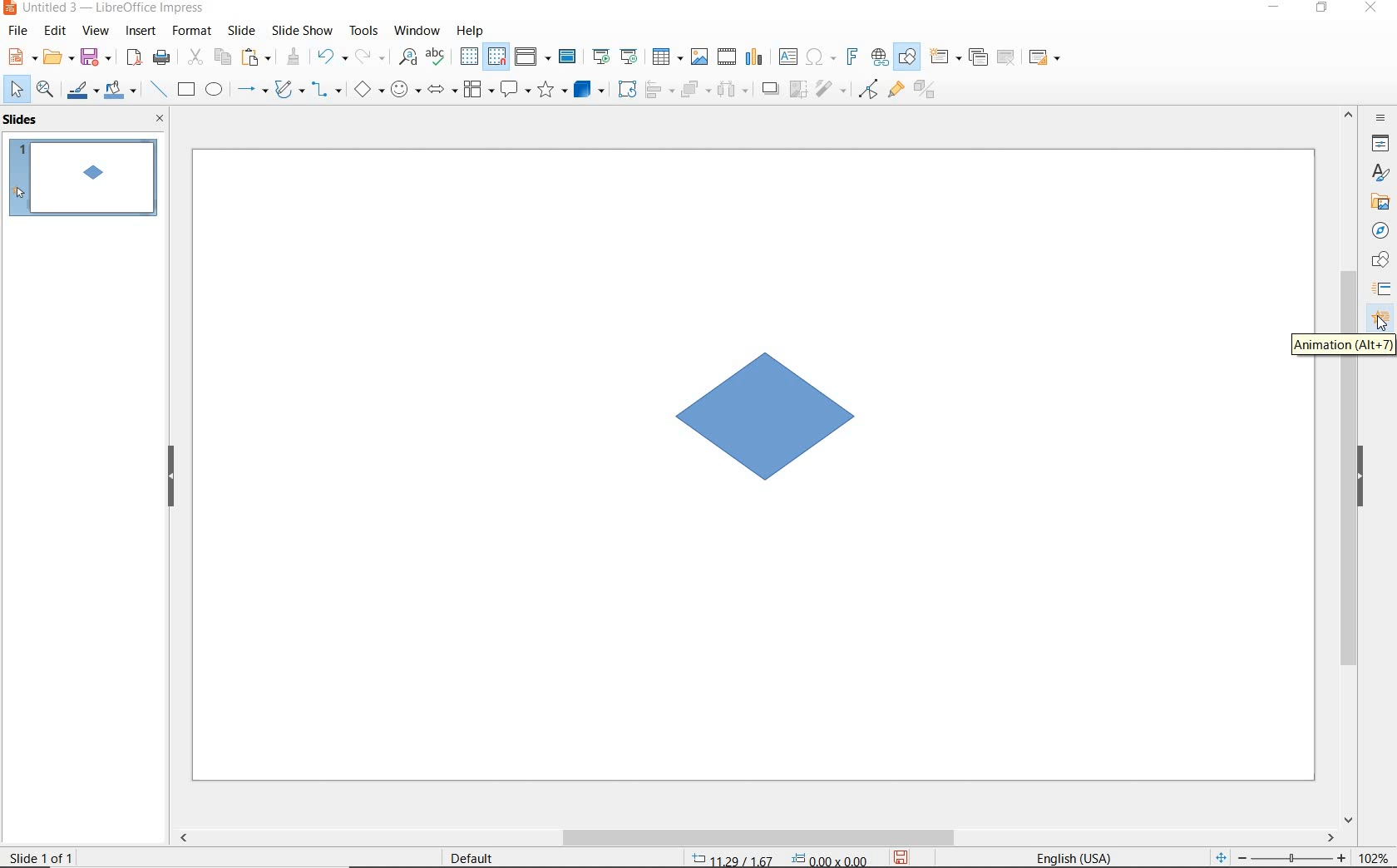  Describe the element at coordinates (1279, 856) in the screenshot. I see `zoom out or zoom in` at that location.